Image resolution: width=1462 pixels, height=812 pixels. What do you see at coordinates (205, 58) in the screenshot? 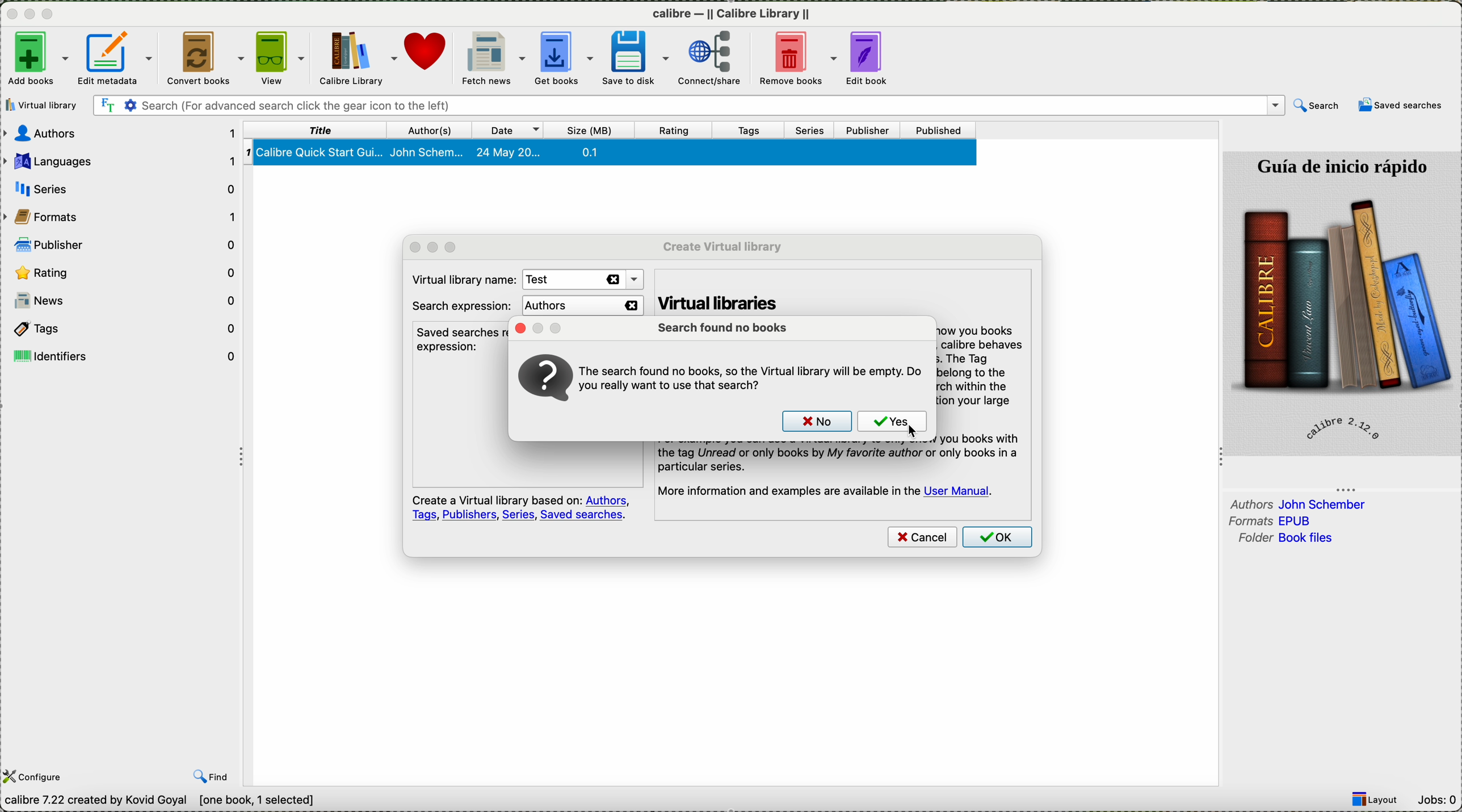
I see `convert books` at bounding box center [205, 58].